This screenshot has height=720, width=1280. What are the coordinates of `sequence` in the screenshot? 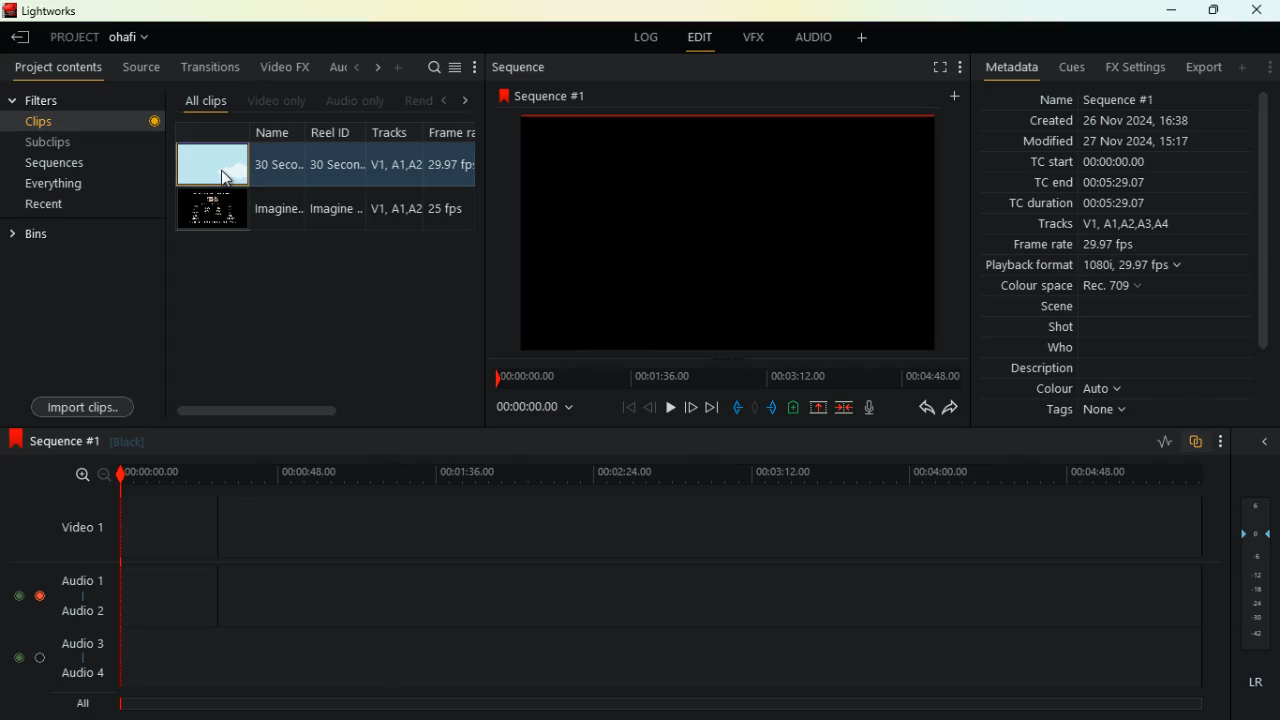 It's located at (533, 68).